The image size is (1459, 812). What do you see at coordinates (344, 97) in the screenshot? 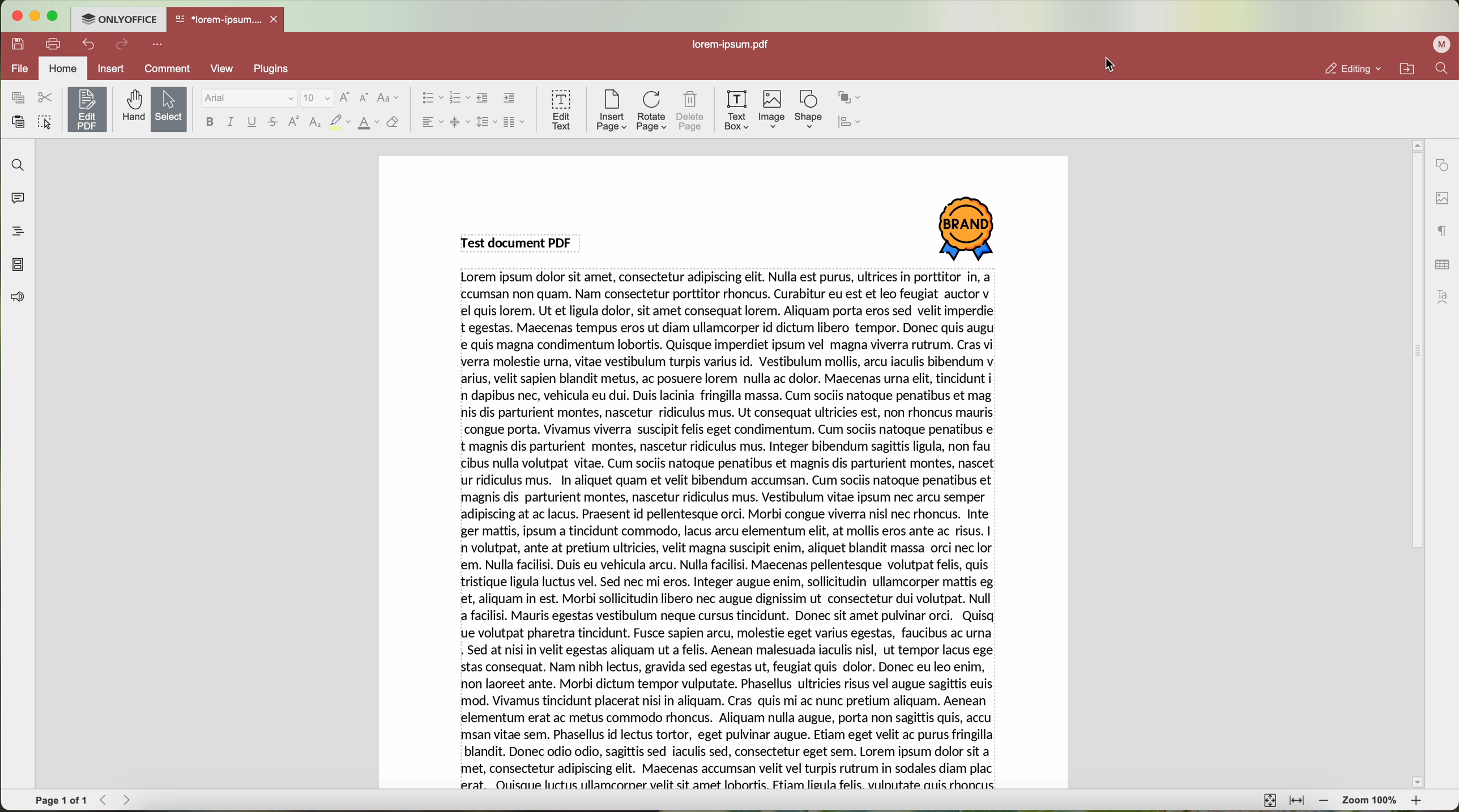
I see `increment font size` at bounding box center [344, 97].